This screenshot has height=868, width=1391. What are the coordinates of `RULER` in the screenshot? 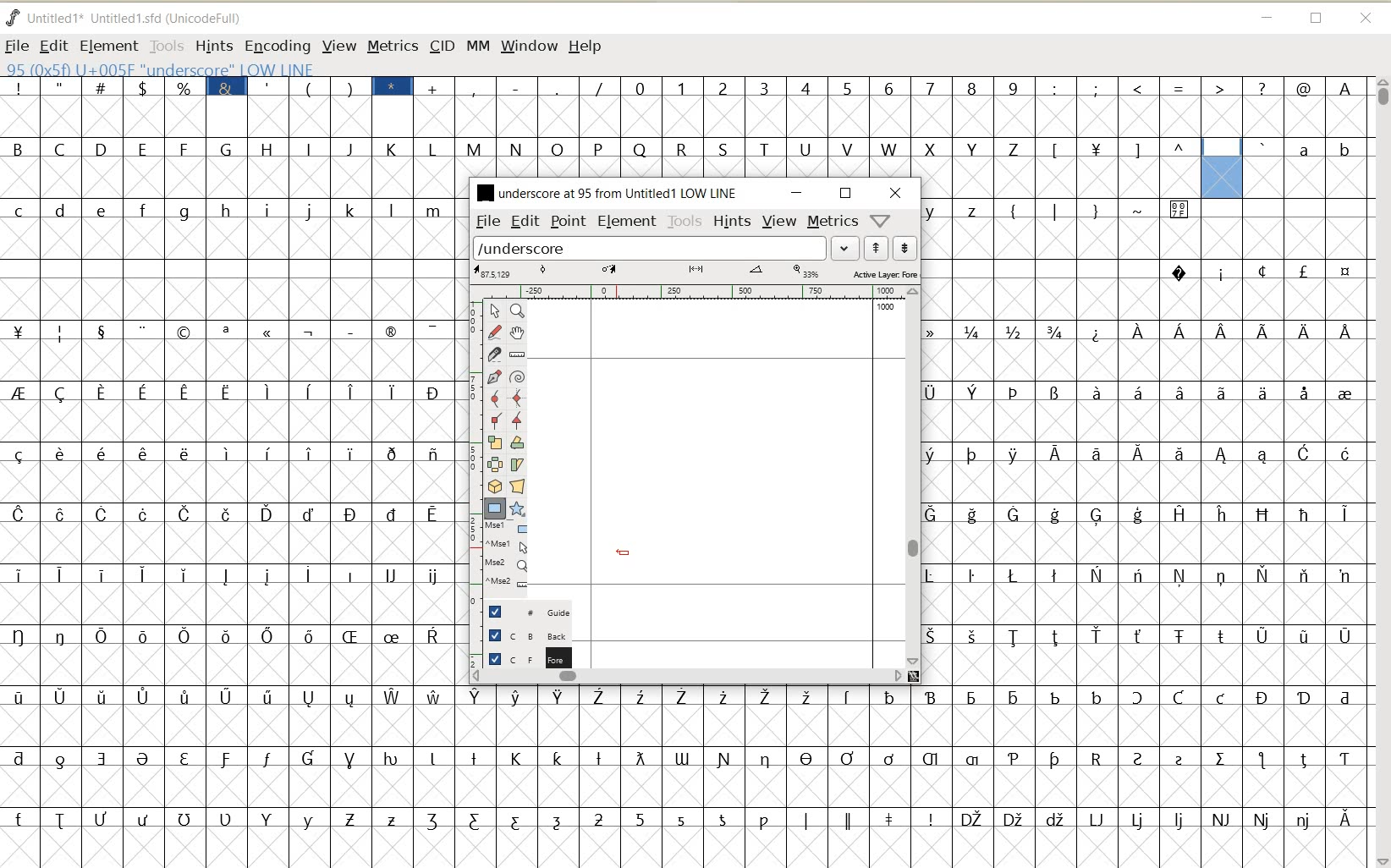 It's located at (690, 292).